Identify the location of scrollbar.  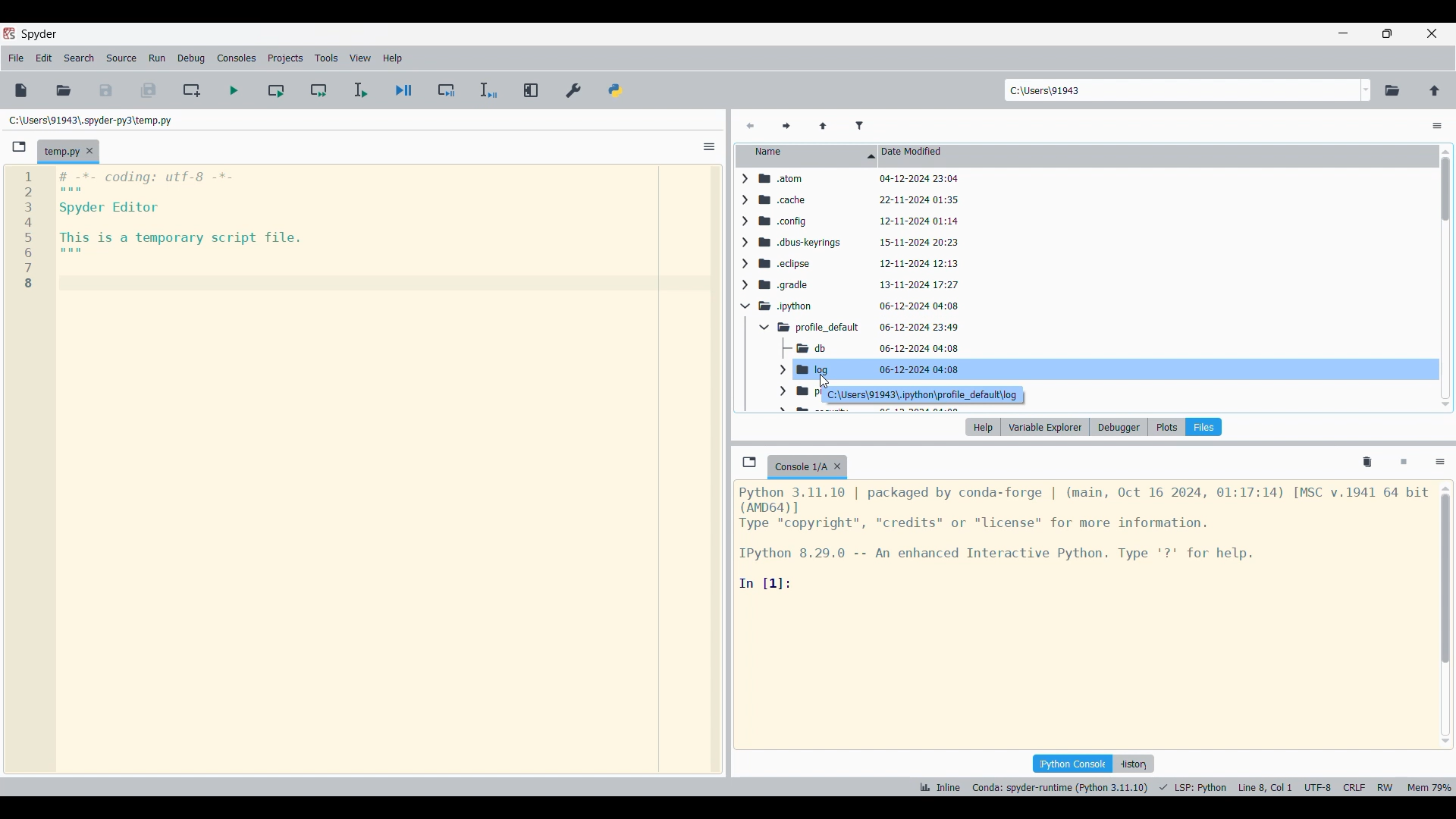
(1444, 276).